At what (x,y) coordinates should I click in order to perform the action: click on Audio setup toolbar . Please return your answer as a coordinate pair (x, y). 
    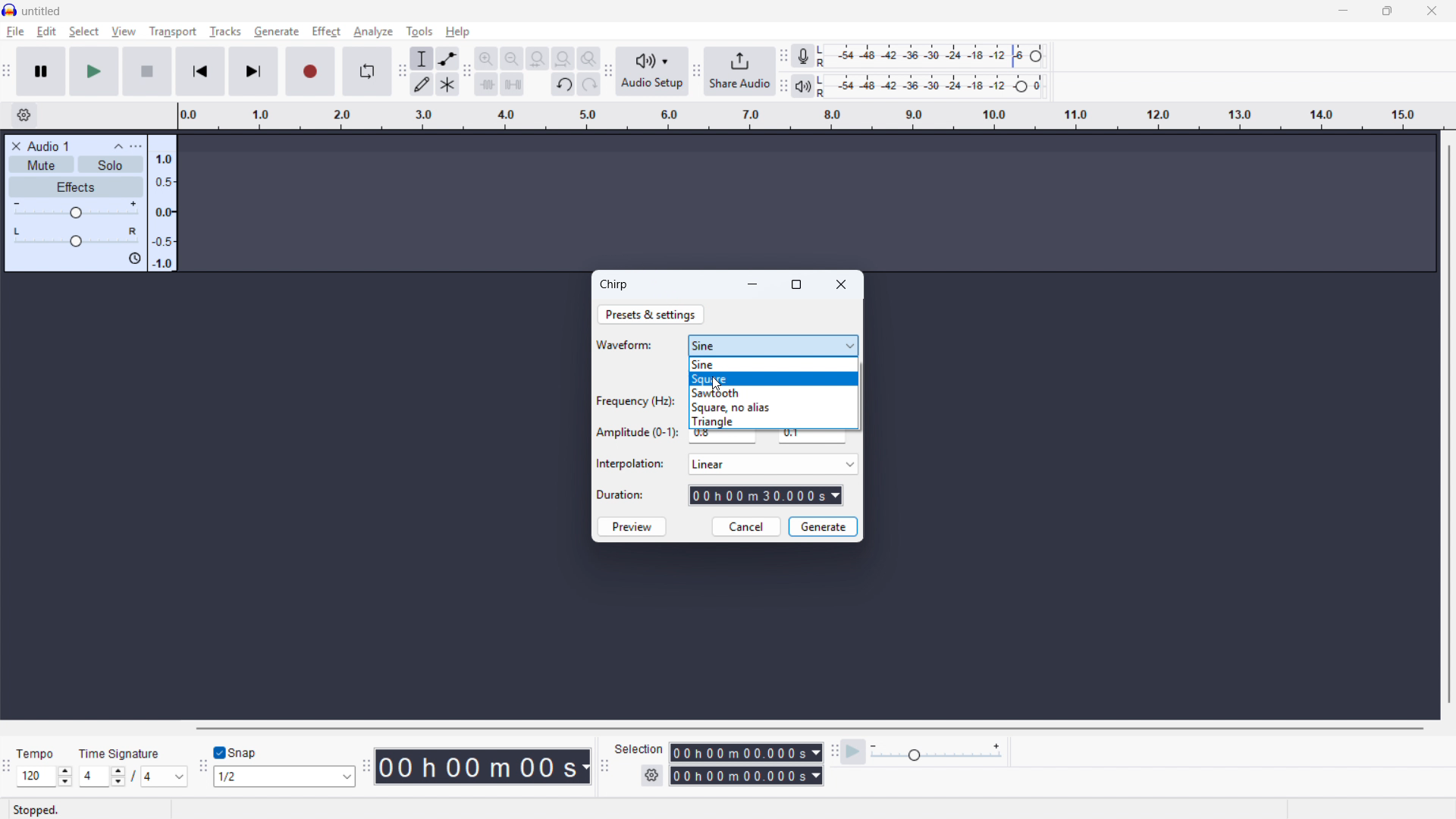
    Looking at the image, I should click on (608, 71).